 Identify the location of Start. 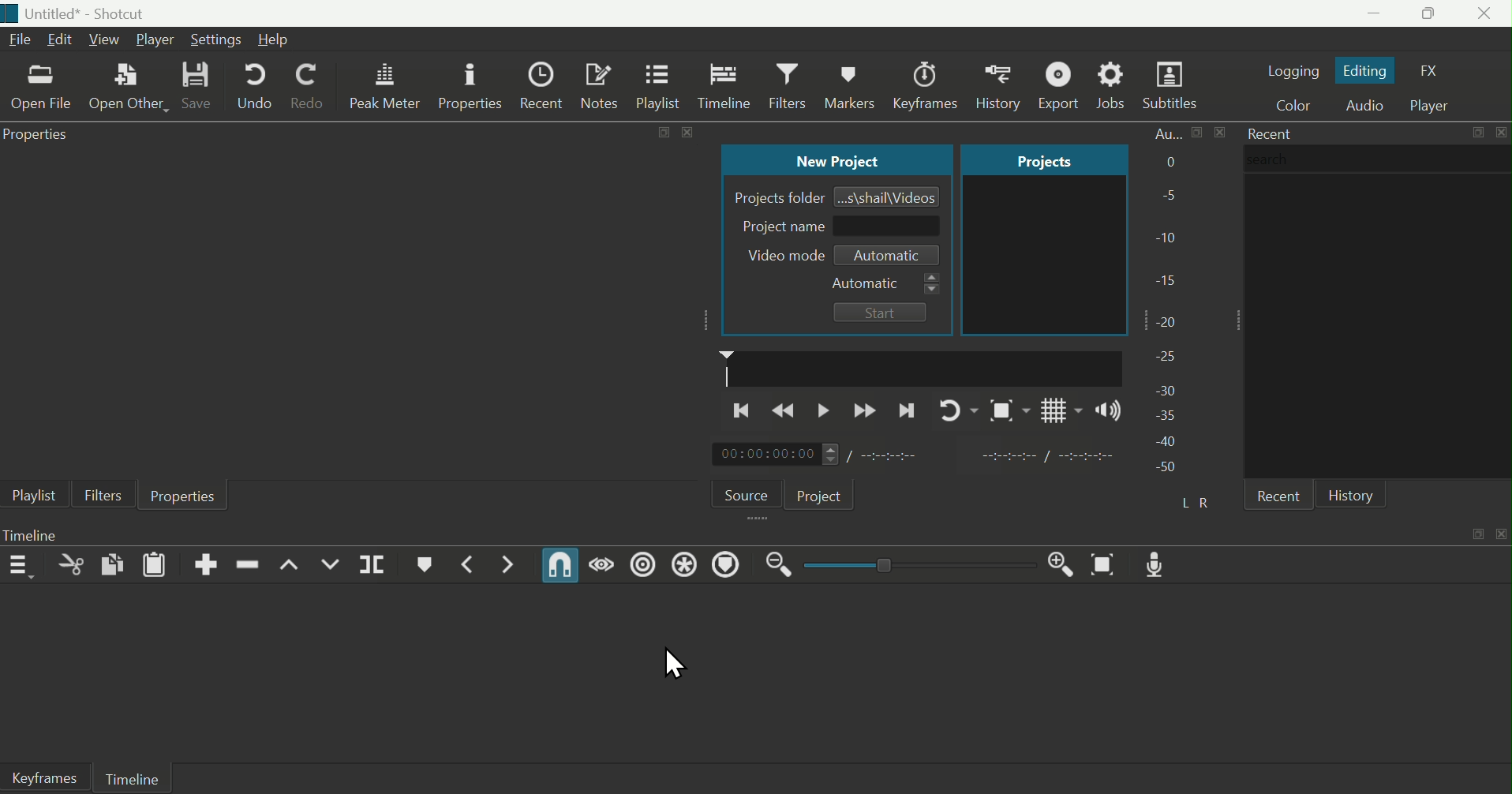
(881, 312).